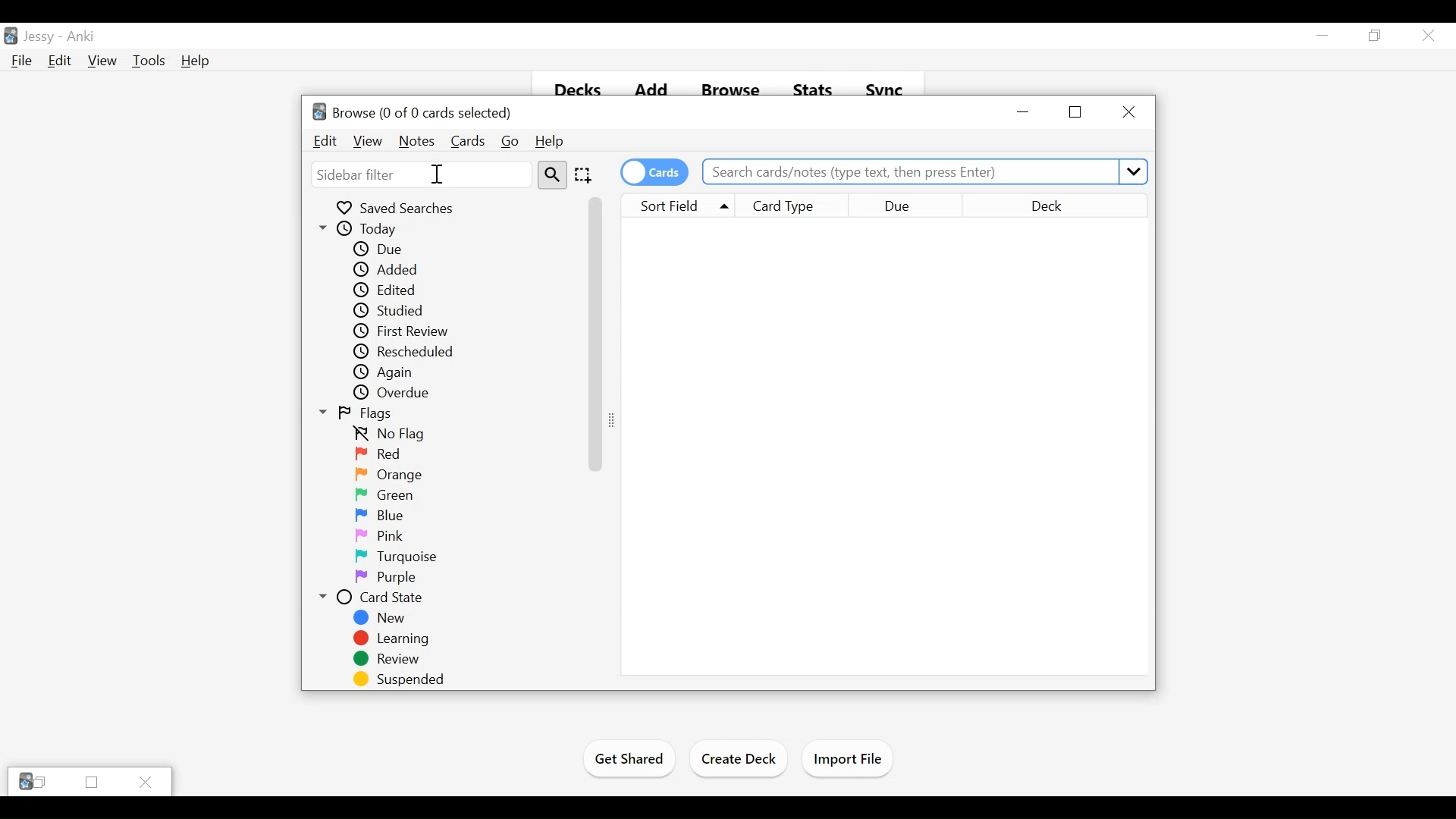 Image resolution: width=1456 pixels, height=819 pixels. What do you see at coordinates (384, 577) in the screenshot?
I see `Purple` at bounding box center [384, 577].